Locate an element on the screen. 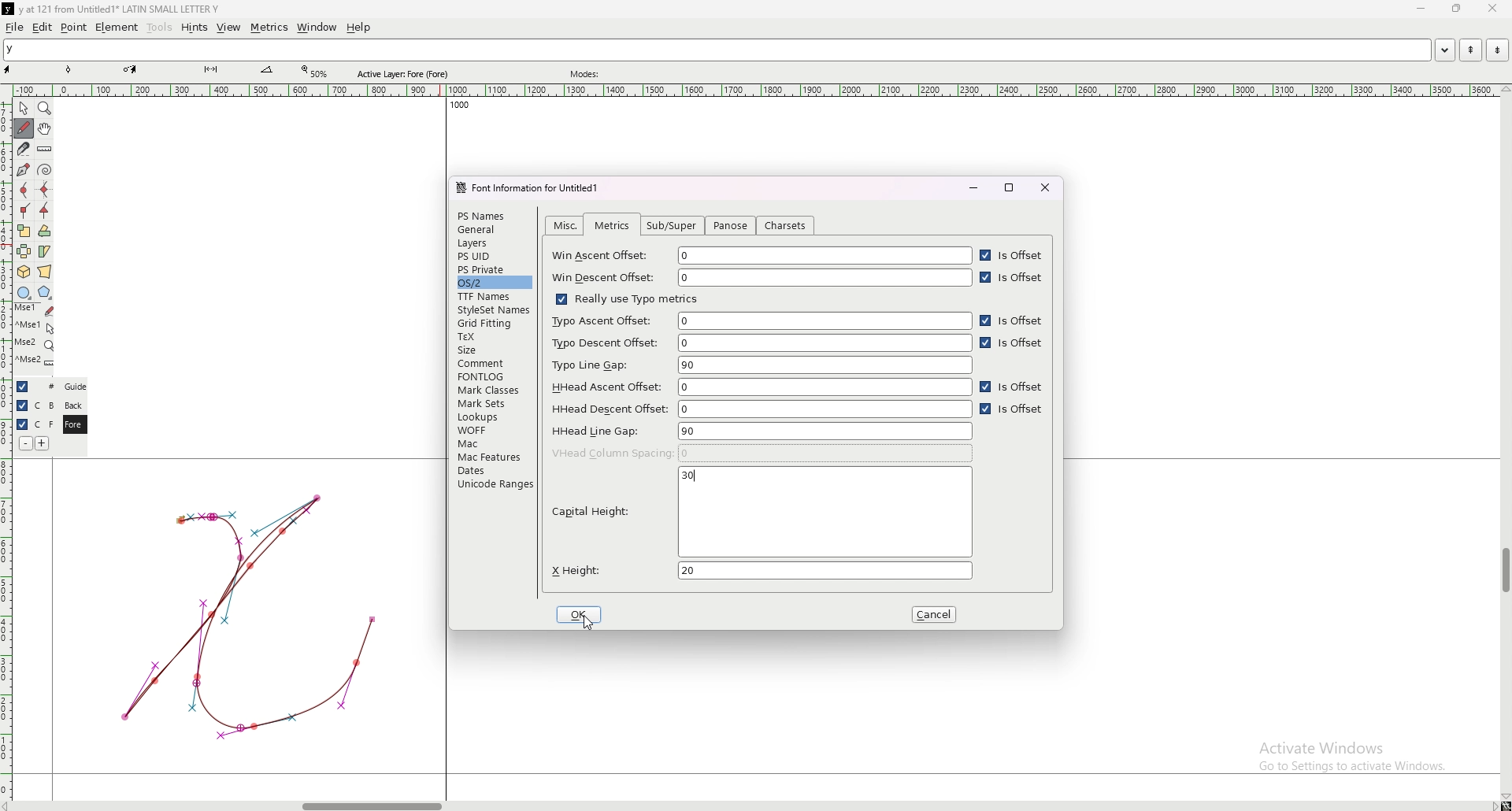 The width and height of the screenshot is (1512, 811). vhead column spacing 0 is located at coordinates (762, 453).